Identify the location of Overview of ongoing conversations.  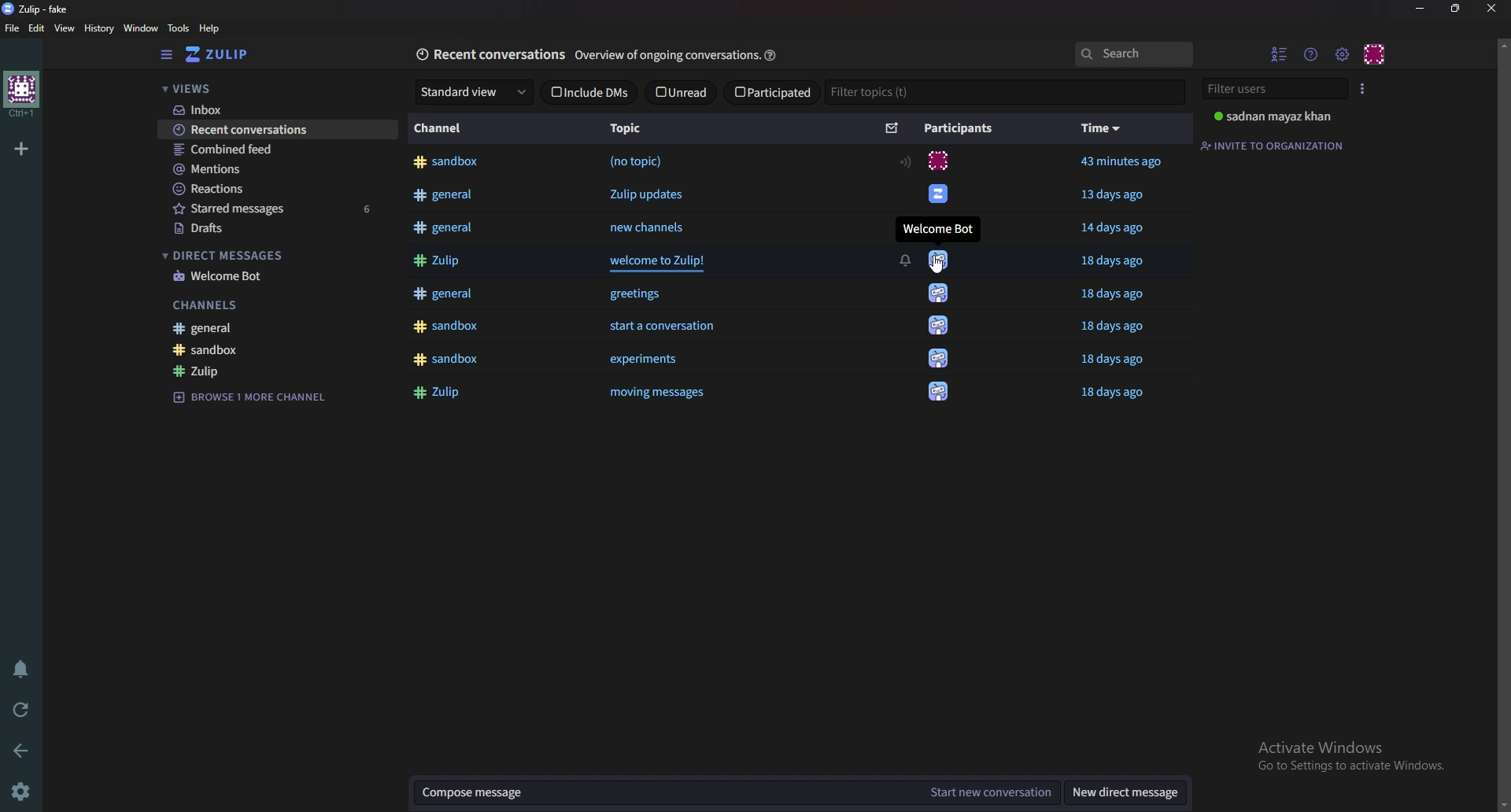
(667, 57).